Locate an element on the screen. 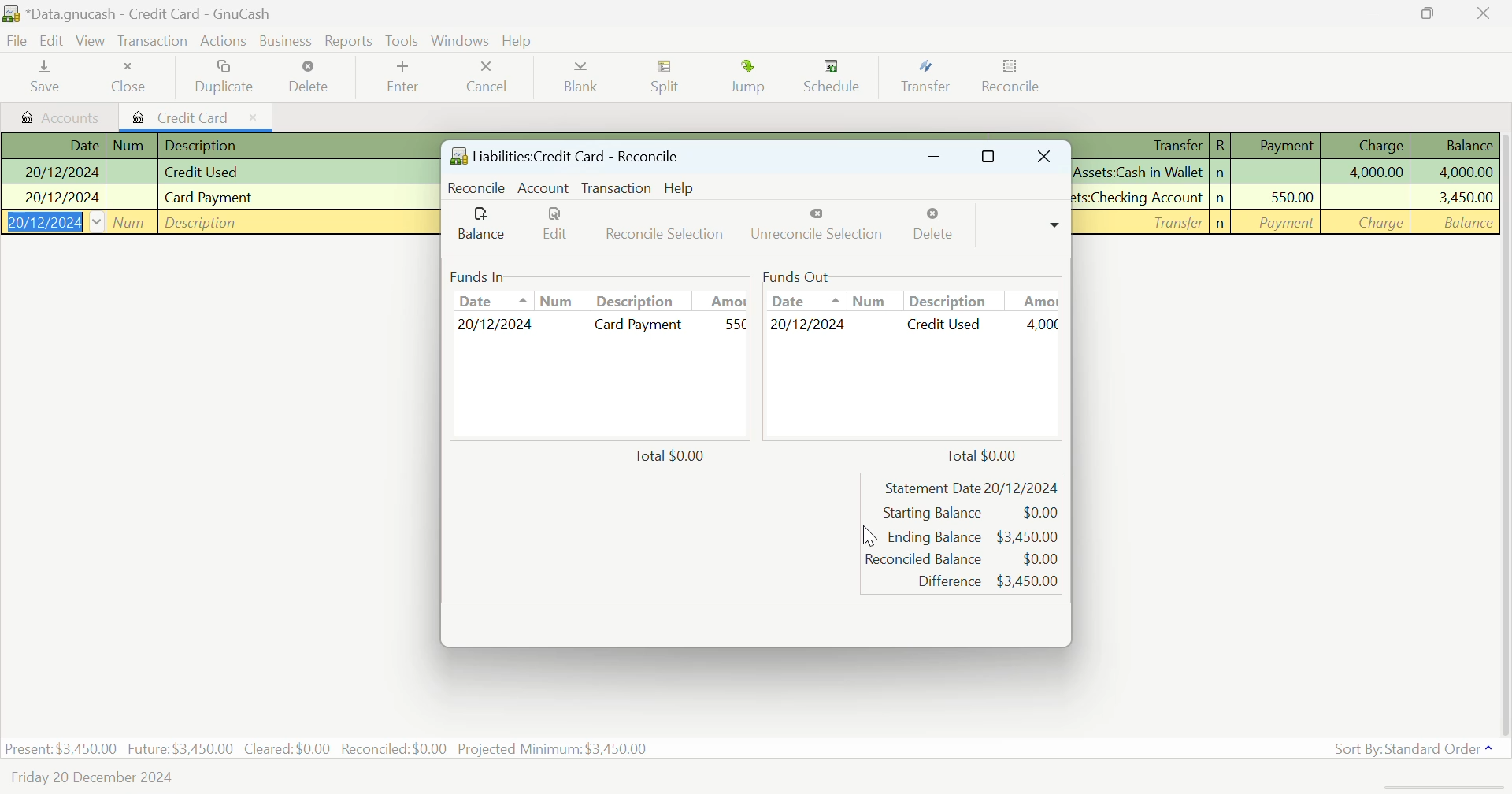 The image size is (1512, 794). Funds In Selection is located at coordinates (595, 290).